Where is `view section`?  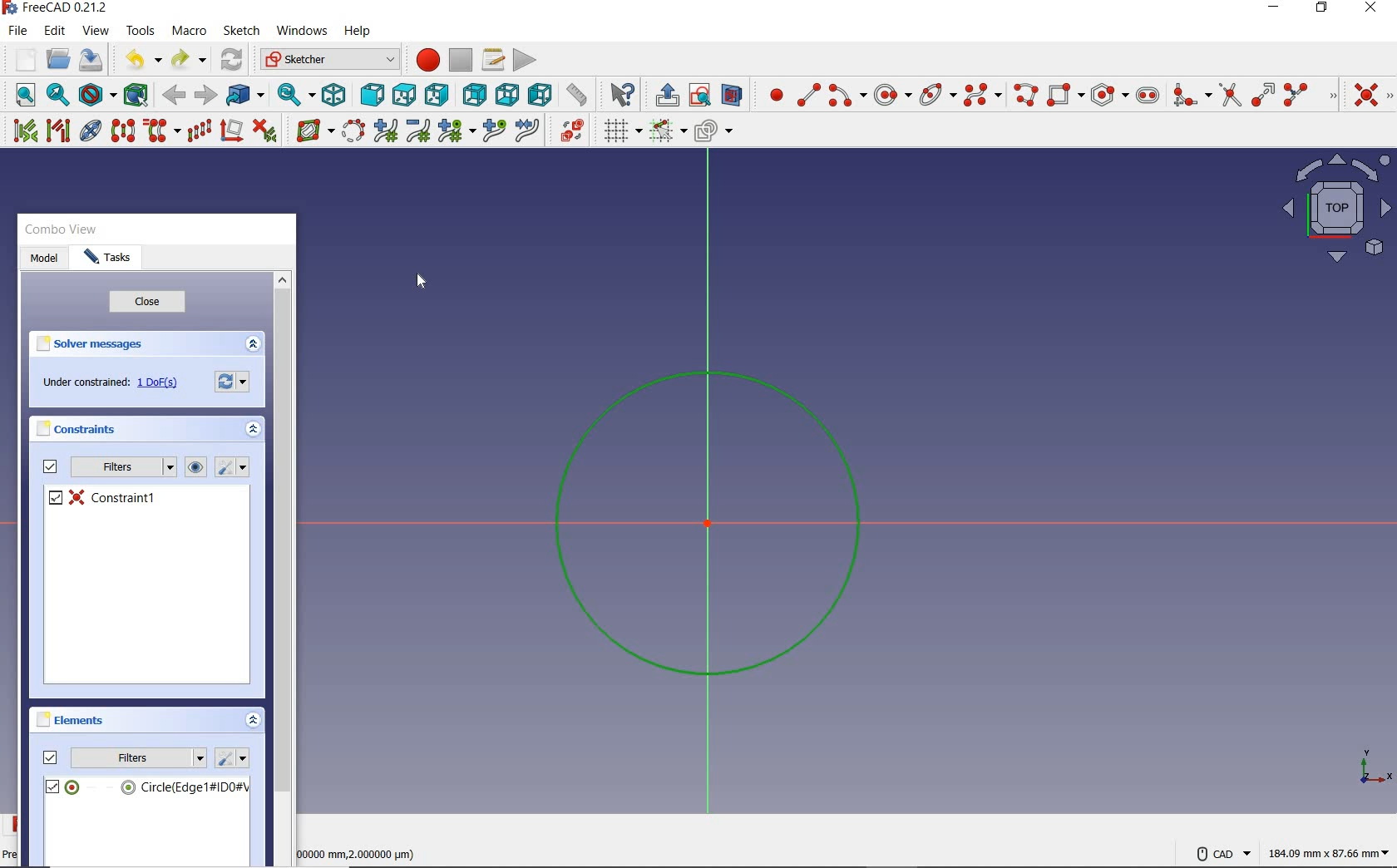
view section is located at coordinates (732, 94).